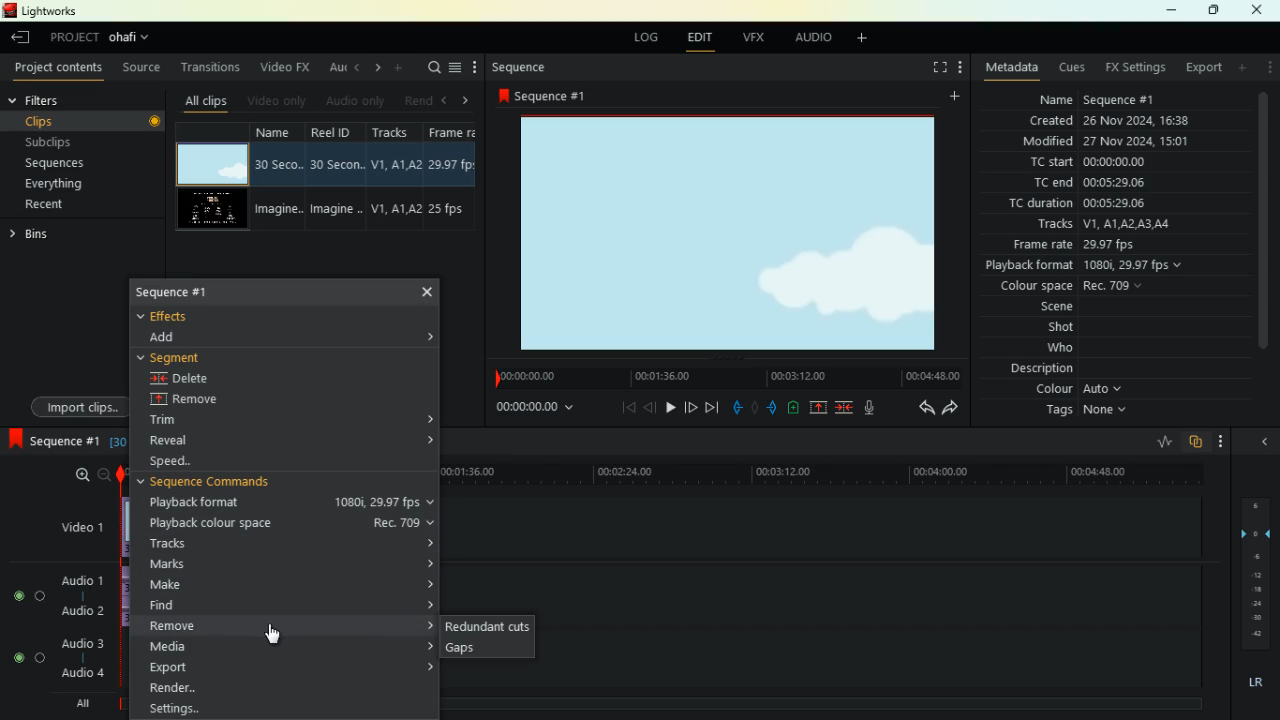 This screenshot has height=720, width=1280. I want to click on redundant cuts, so click(489, 625).